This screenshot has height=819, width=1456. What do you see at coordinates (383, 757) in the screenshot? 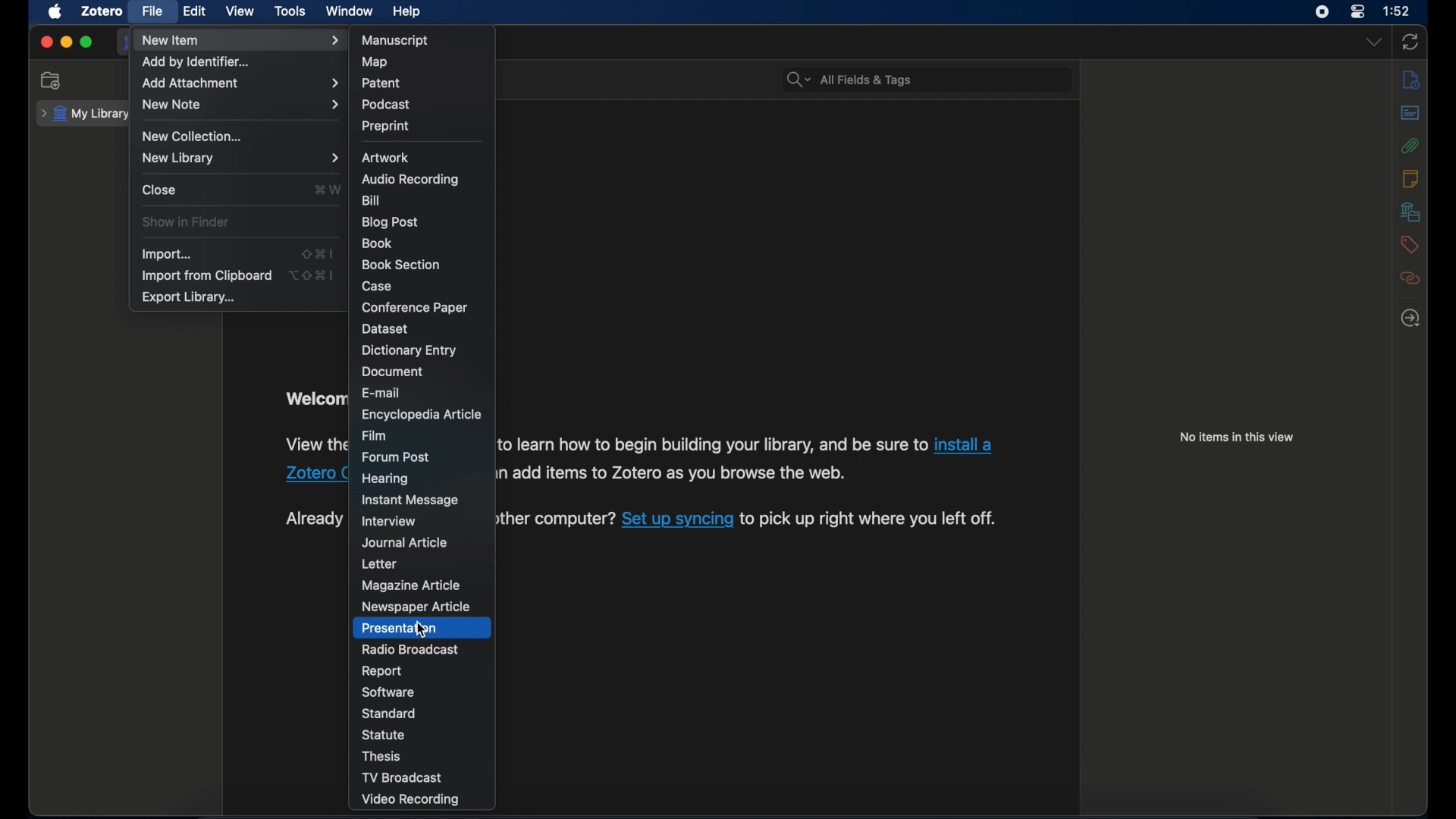
I see `thesis` at bounding box center [383, 757].